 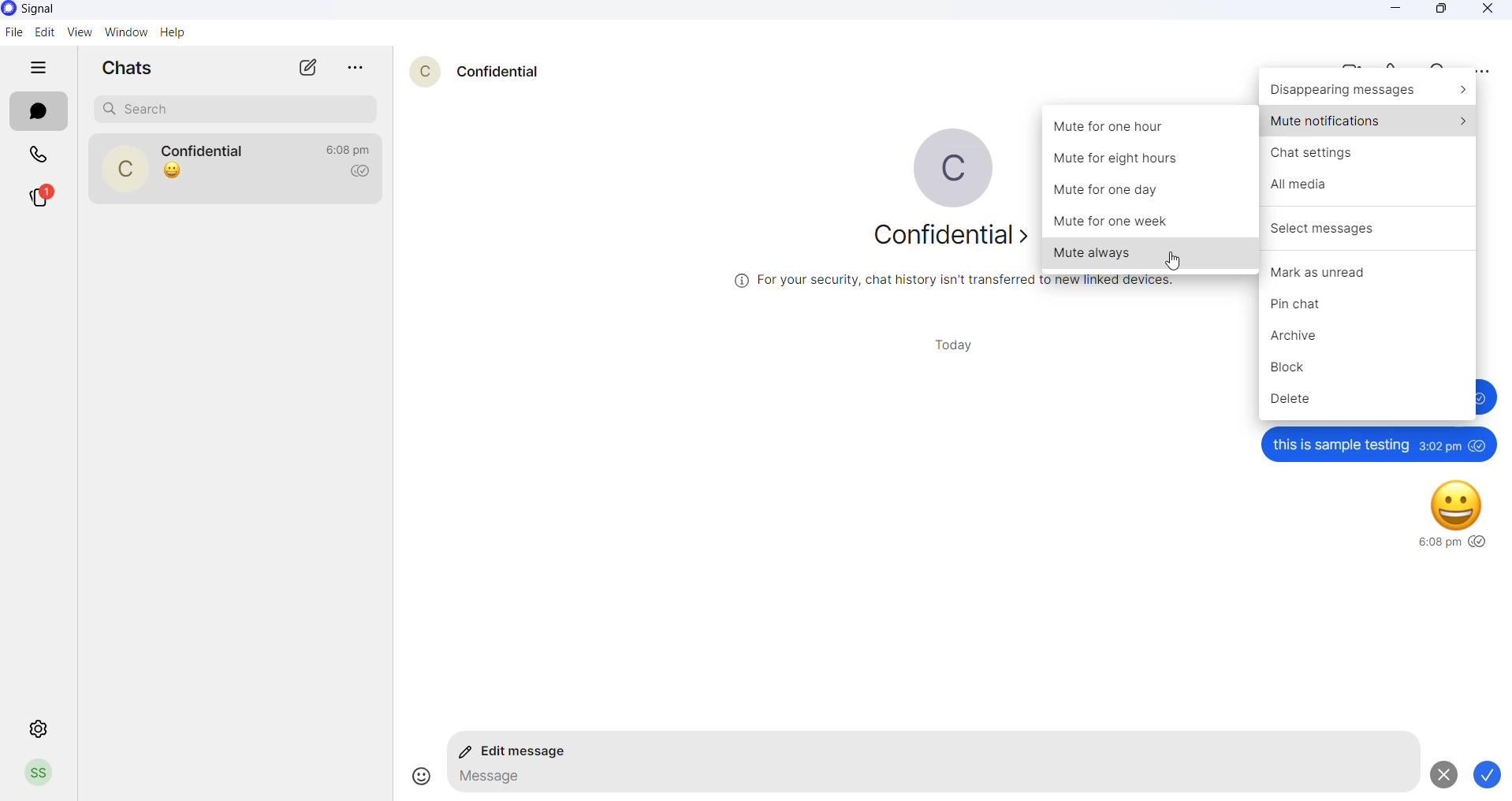 What do you see at coordinates (348, 149) in the screenshot?
I see `last message time` at bounding box center [348, 149].